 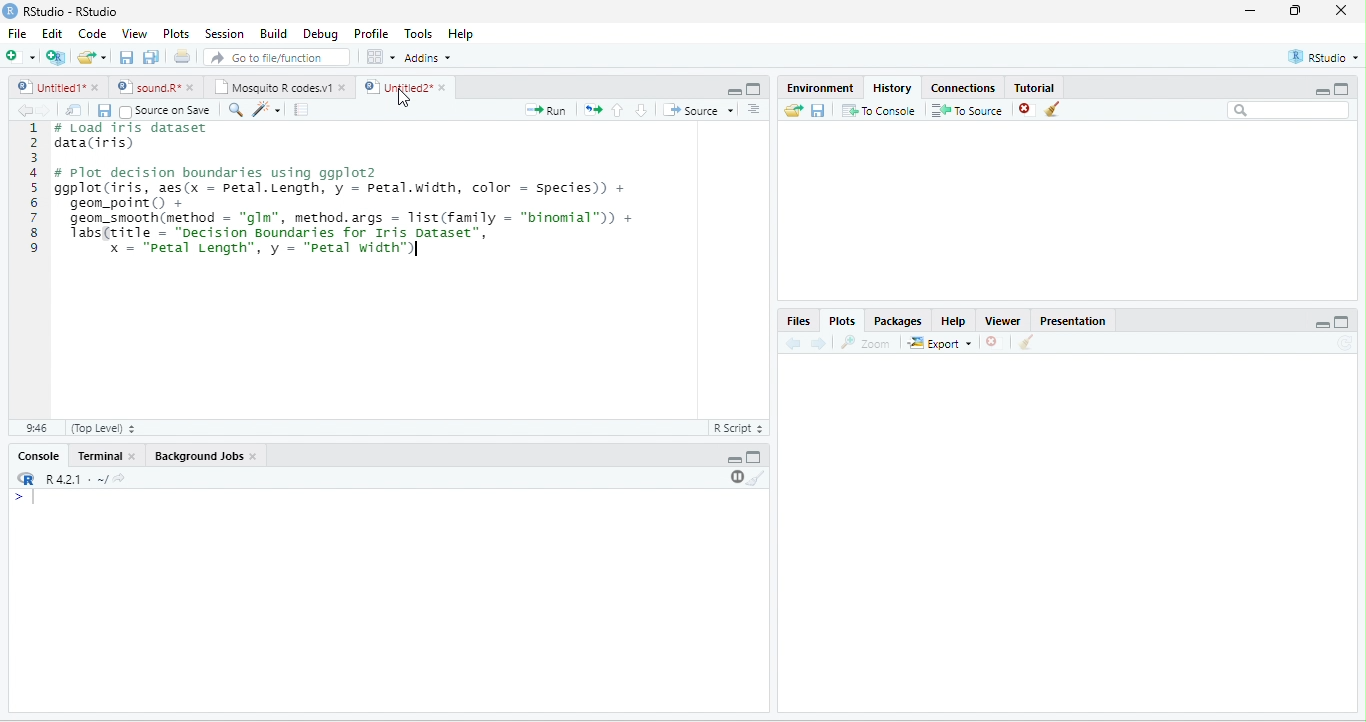 I want to click on clear, so click(x=1027, y=342).